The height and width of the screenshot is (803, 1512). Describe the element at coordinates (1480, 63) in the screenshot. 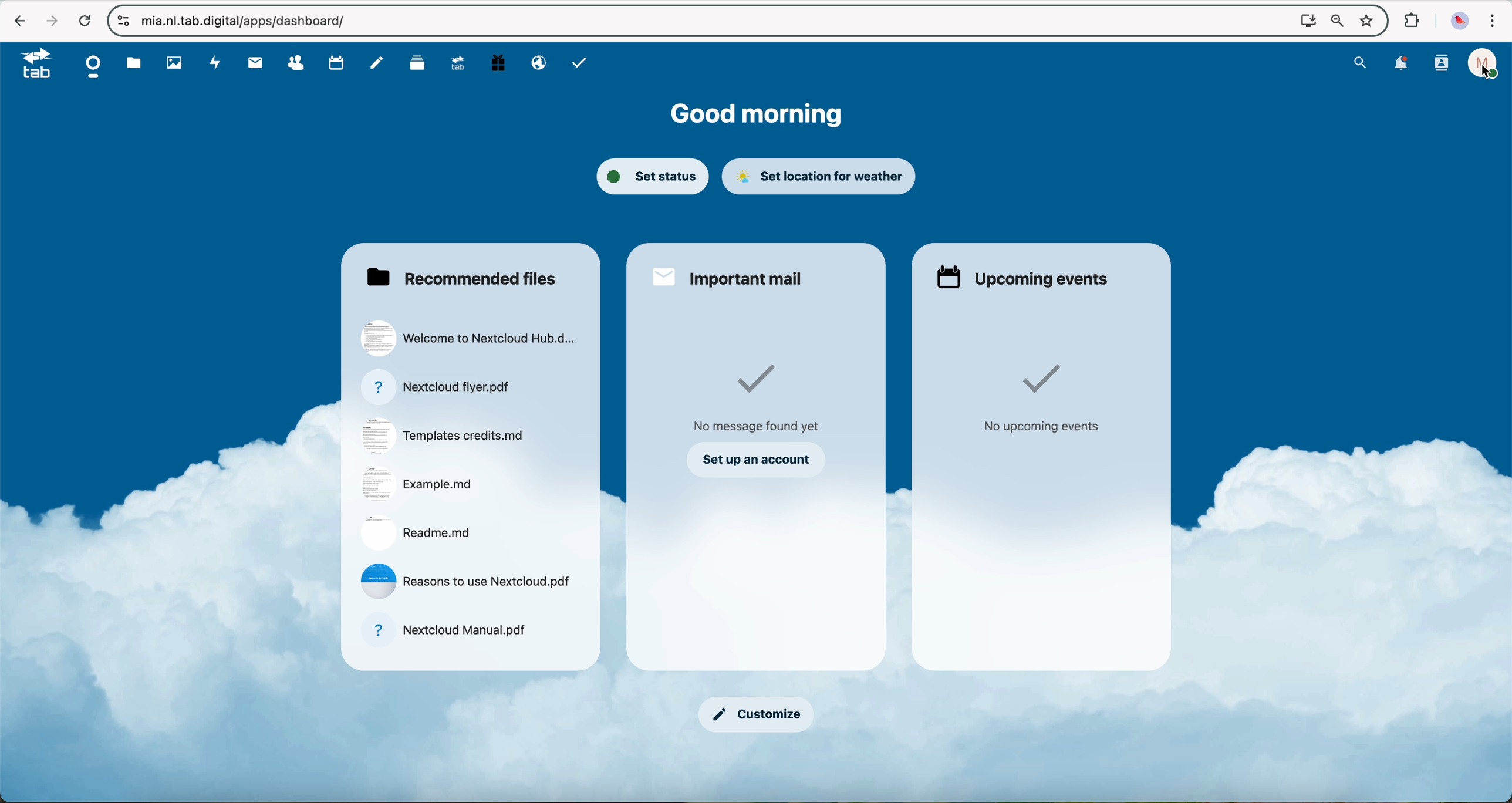

I see `profile` at that location.